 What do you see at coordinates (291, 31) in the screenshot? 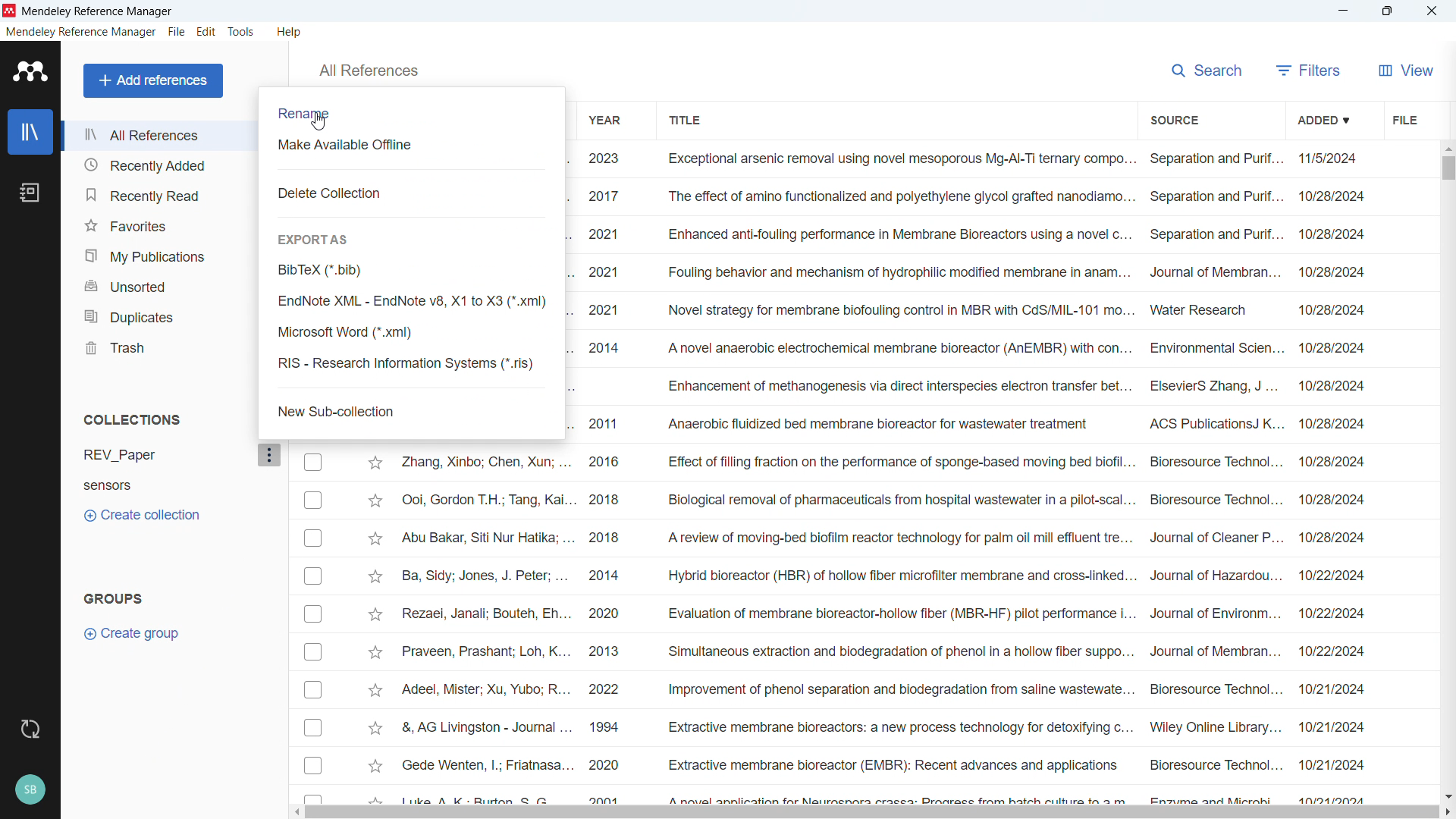
I see `help` at bounding box center [291, 31].